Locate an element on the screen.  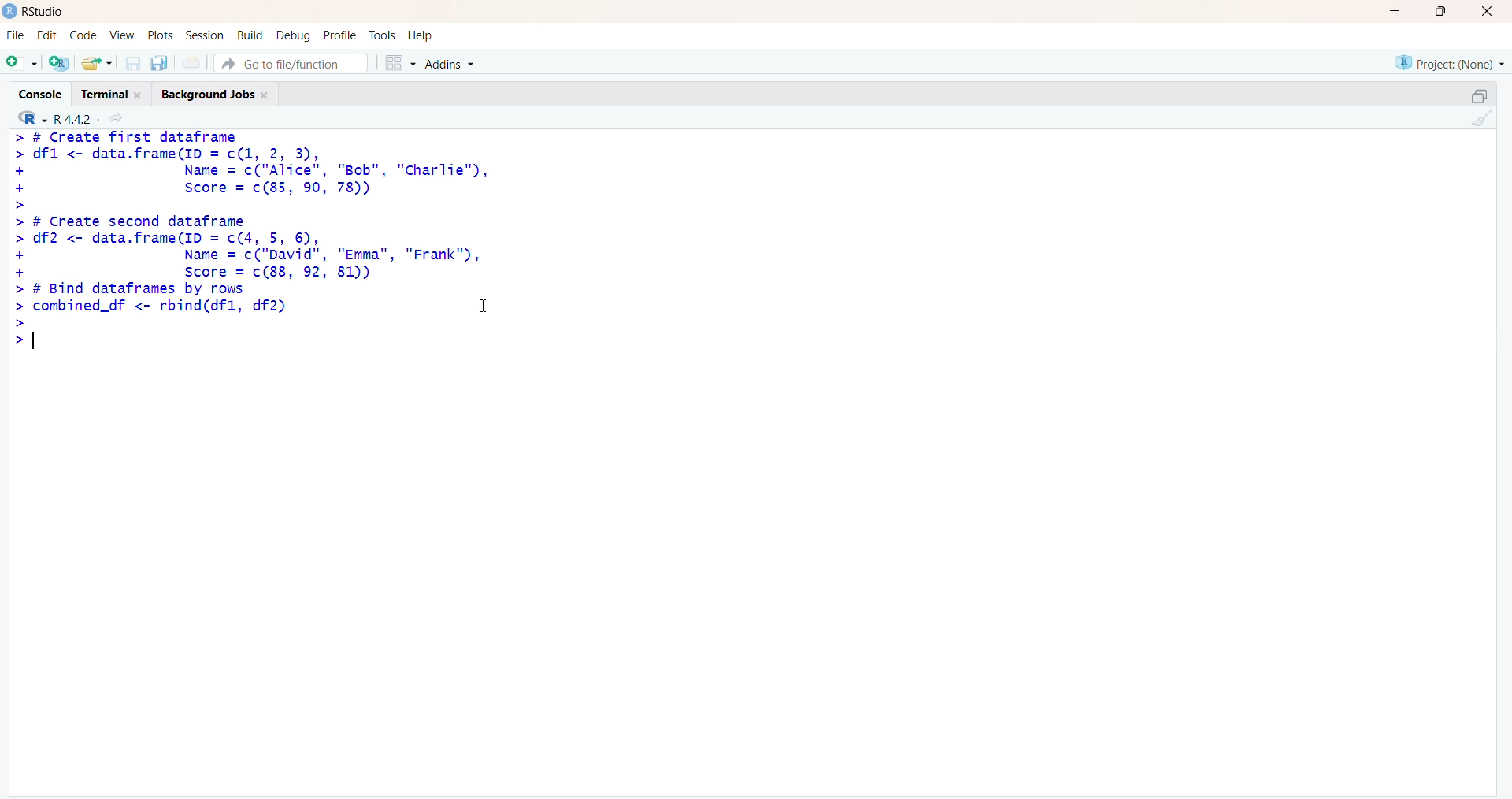
Tools is located at coordinates (382, 35).